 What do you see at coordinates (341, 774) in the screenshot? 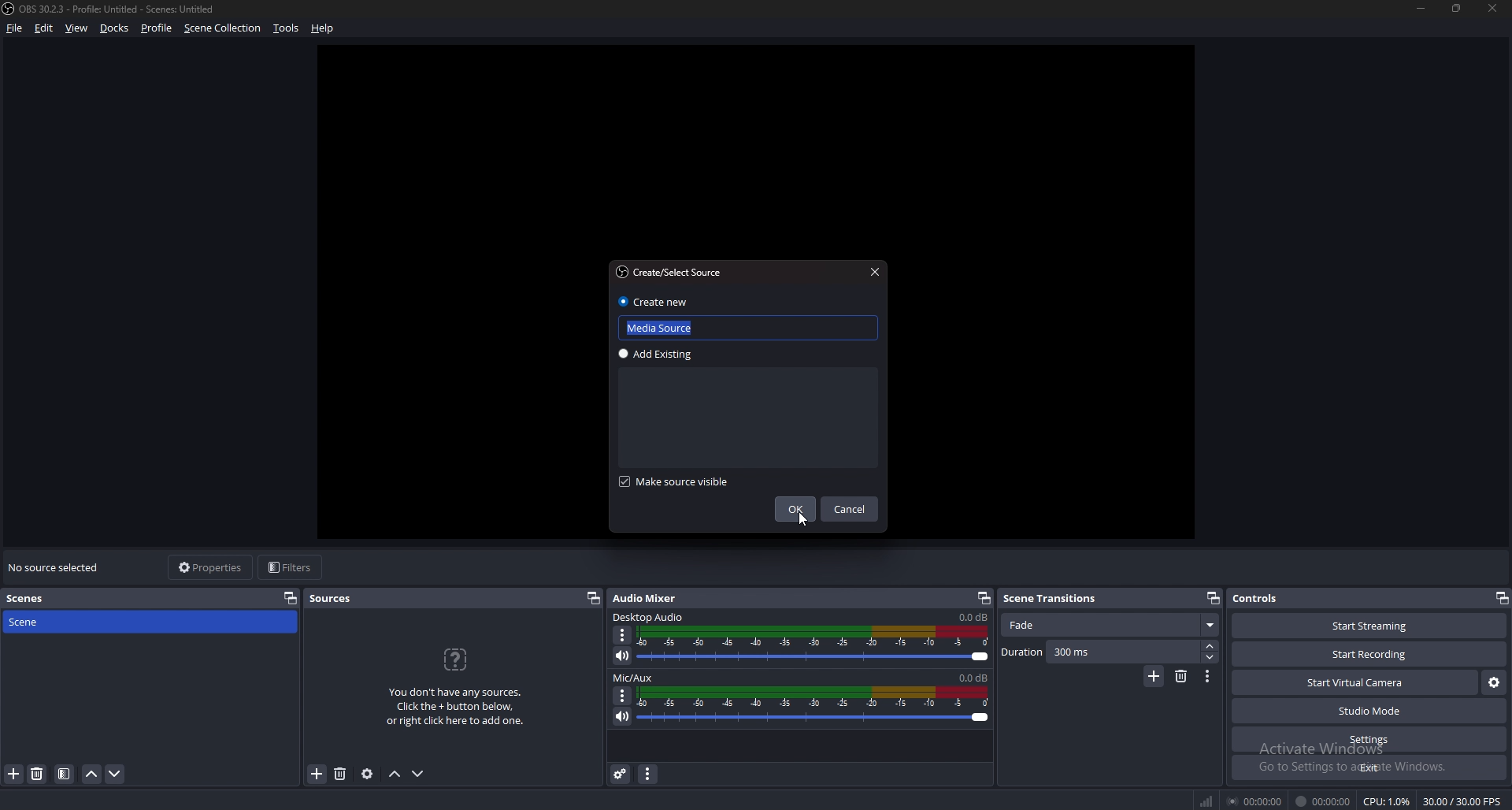
I see `Delete sources` at bounding box center [341, 774].